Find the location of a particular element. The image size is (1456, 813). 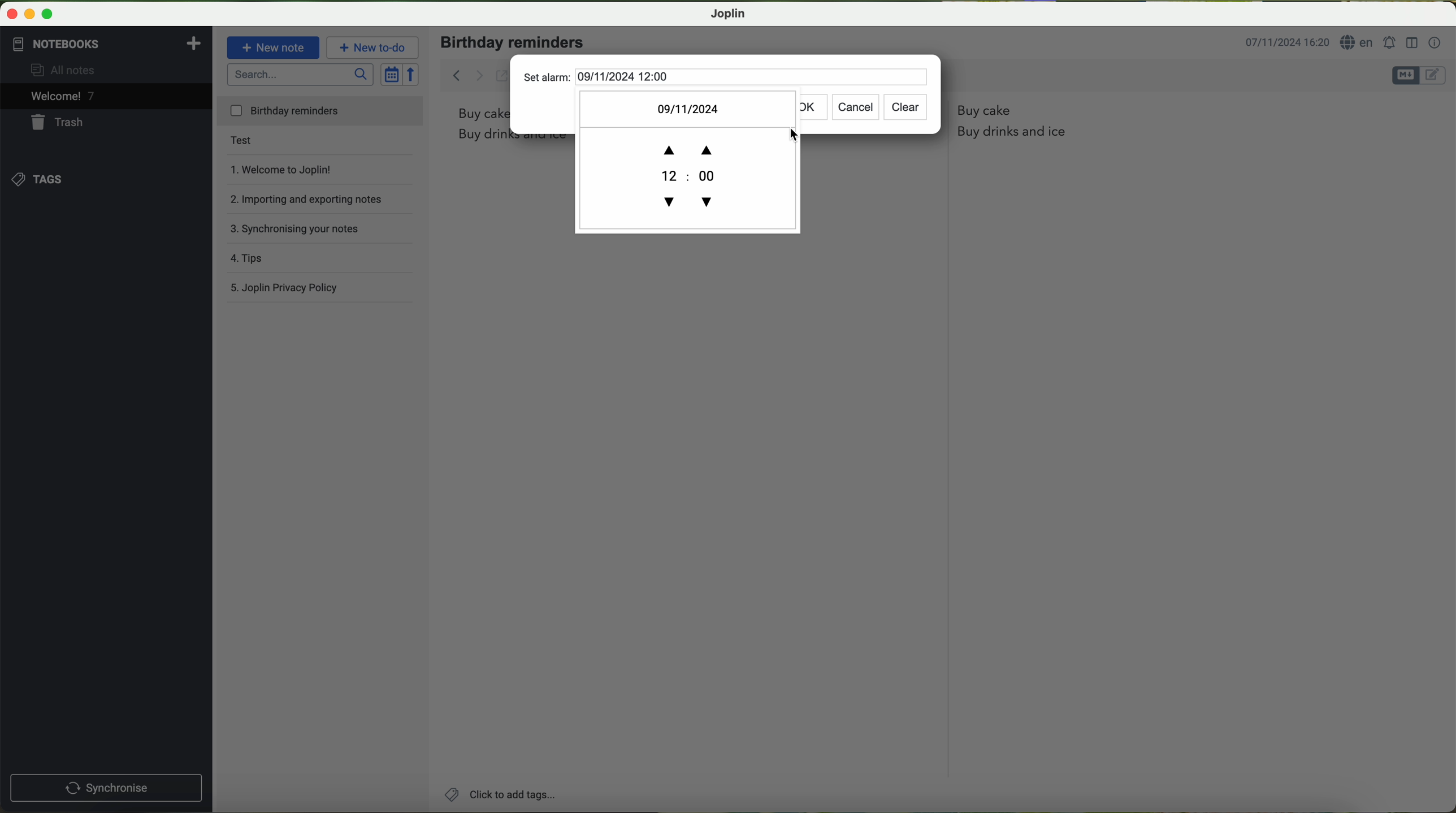

ok is located at coordinates (806, 110).